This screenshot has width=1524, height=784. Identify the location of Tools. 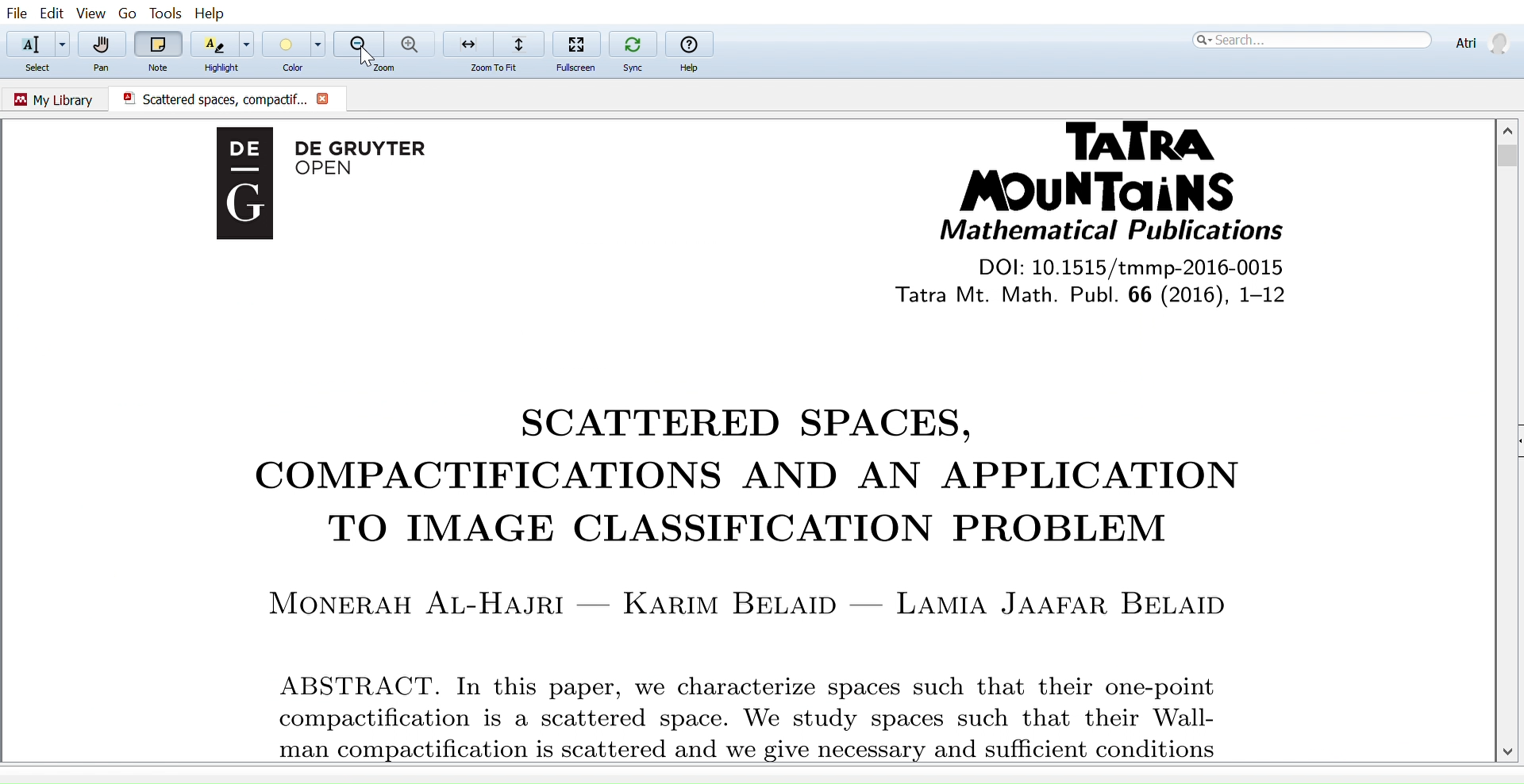
(162, 13).